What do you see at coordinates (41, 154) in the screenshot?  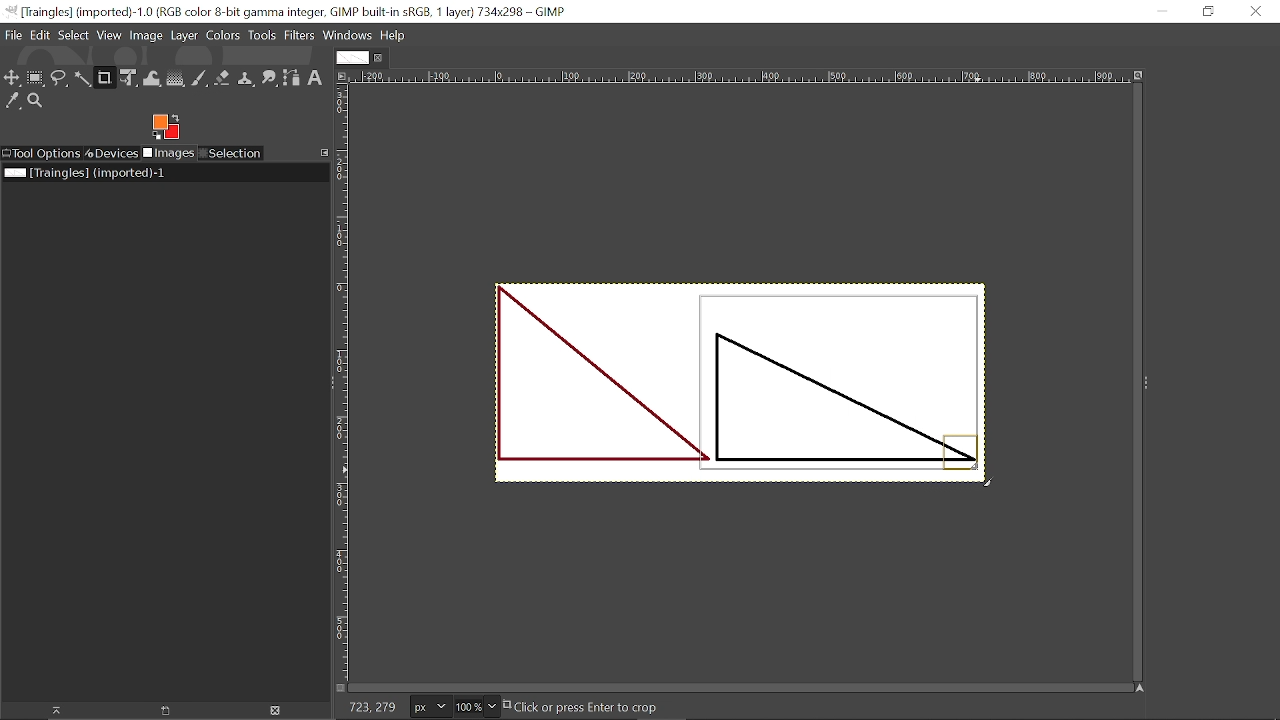 I see `Tool options` at bounding box center [41, 154].